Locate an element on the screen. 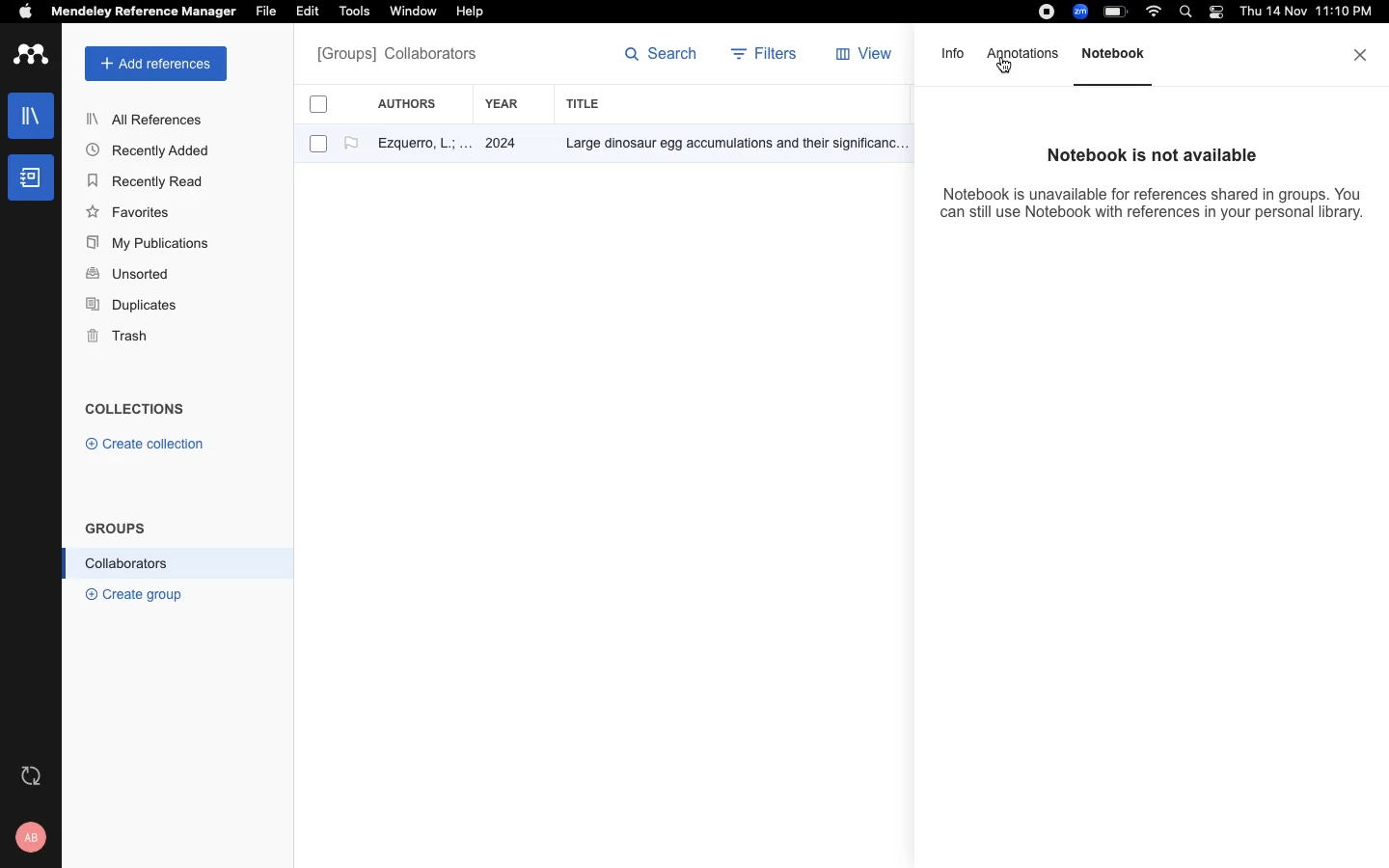 The width and height of the screenshot is (1389, 868).  is located at coordinates (728, 145).